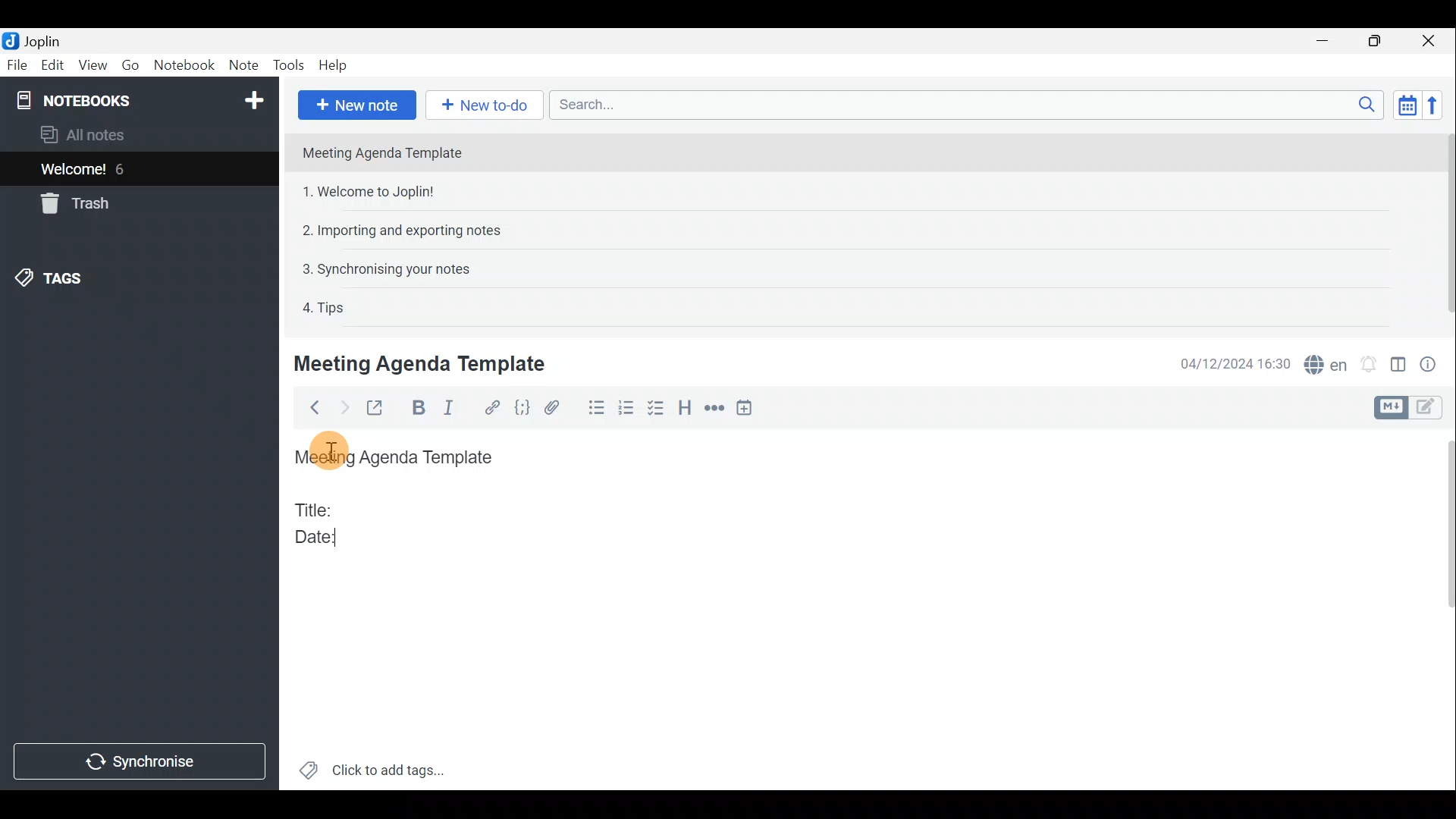 This screenshot has width=1456, height=819. Describe the element at coordinates (53, 67) in the screenshot. I see `Edit` at that location.